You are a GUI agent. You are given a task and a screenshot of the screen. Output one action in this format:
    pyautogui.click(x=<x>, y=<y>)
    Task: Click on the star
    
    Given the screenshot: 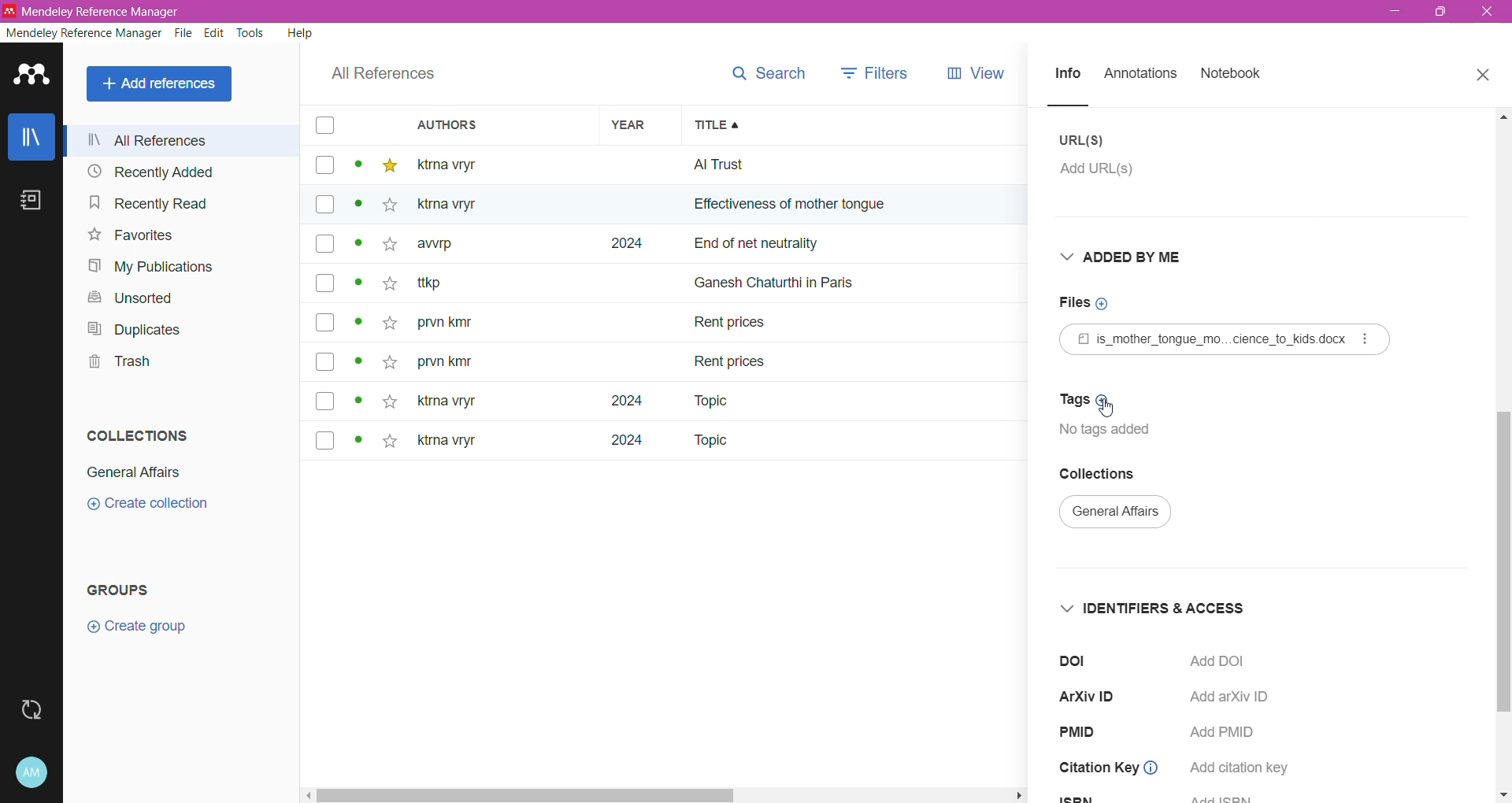 What is the action you would take?
    pyautogui.click(x=384, y=250)
    